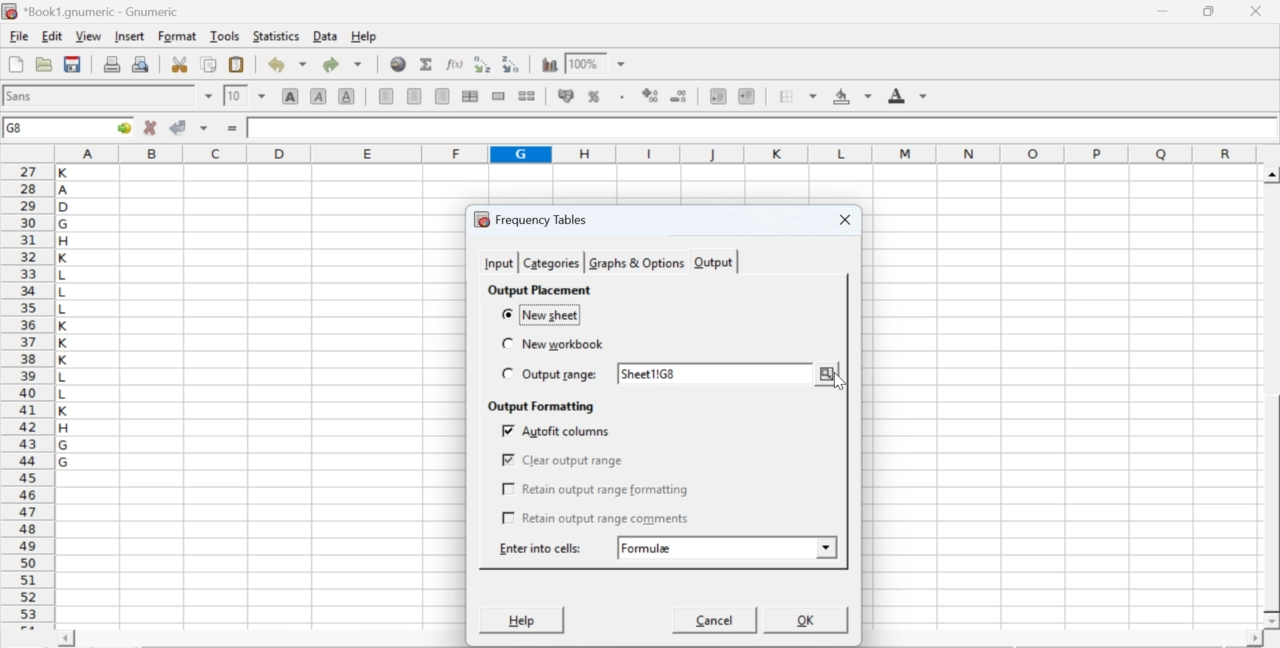  Describe the element at coordinates (327, 35) in the screenshot. I see `data` at that location.